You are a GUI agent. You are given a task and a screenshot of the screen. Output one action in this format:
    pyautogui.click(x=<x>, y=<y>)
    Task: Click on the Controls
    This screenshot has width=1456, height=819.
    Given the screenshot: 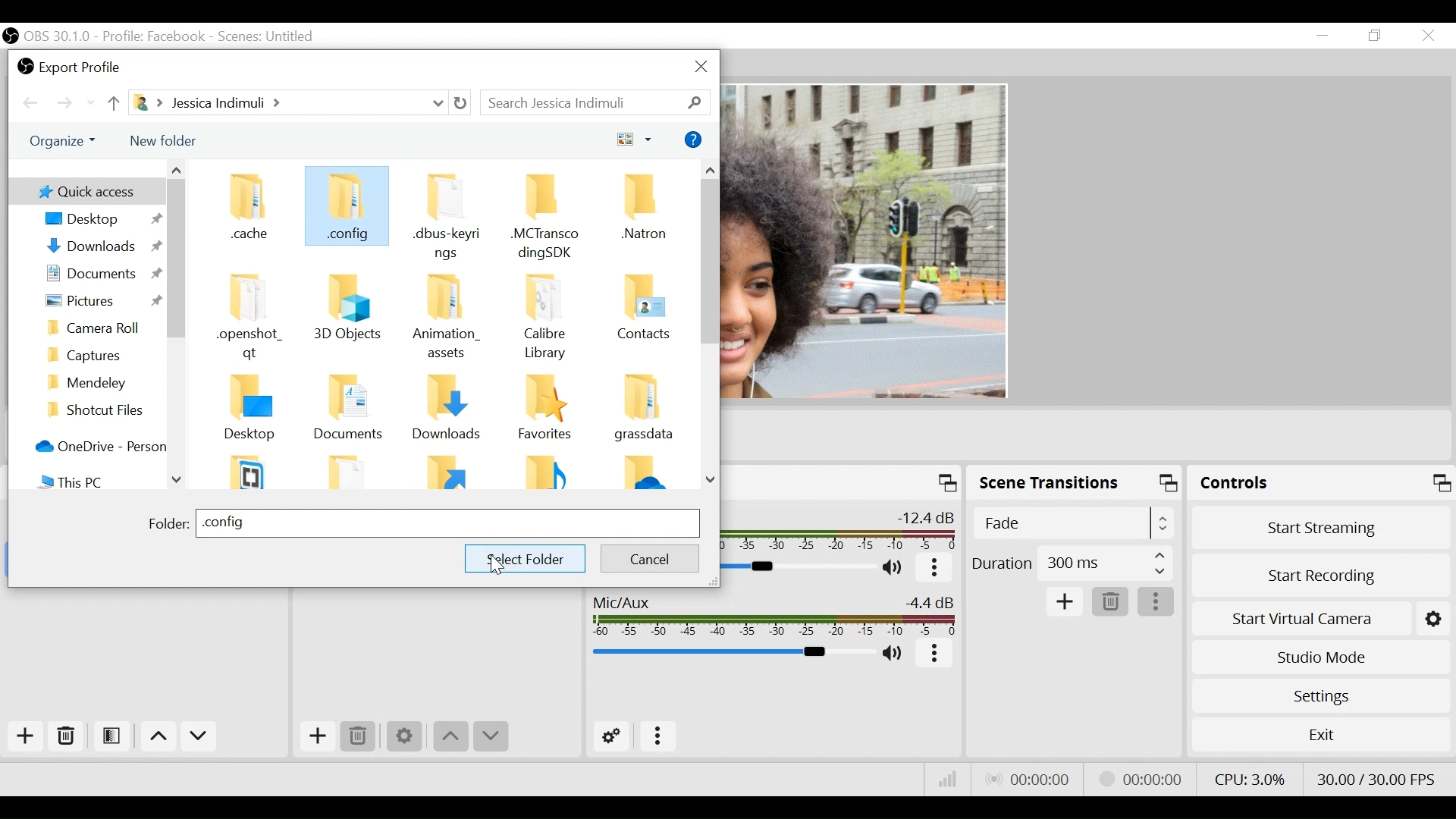 What is the action you would take?
    pyautogui.click(x=1322, y=483)
    